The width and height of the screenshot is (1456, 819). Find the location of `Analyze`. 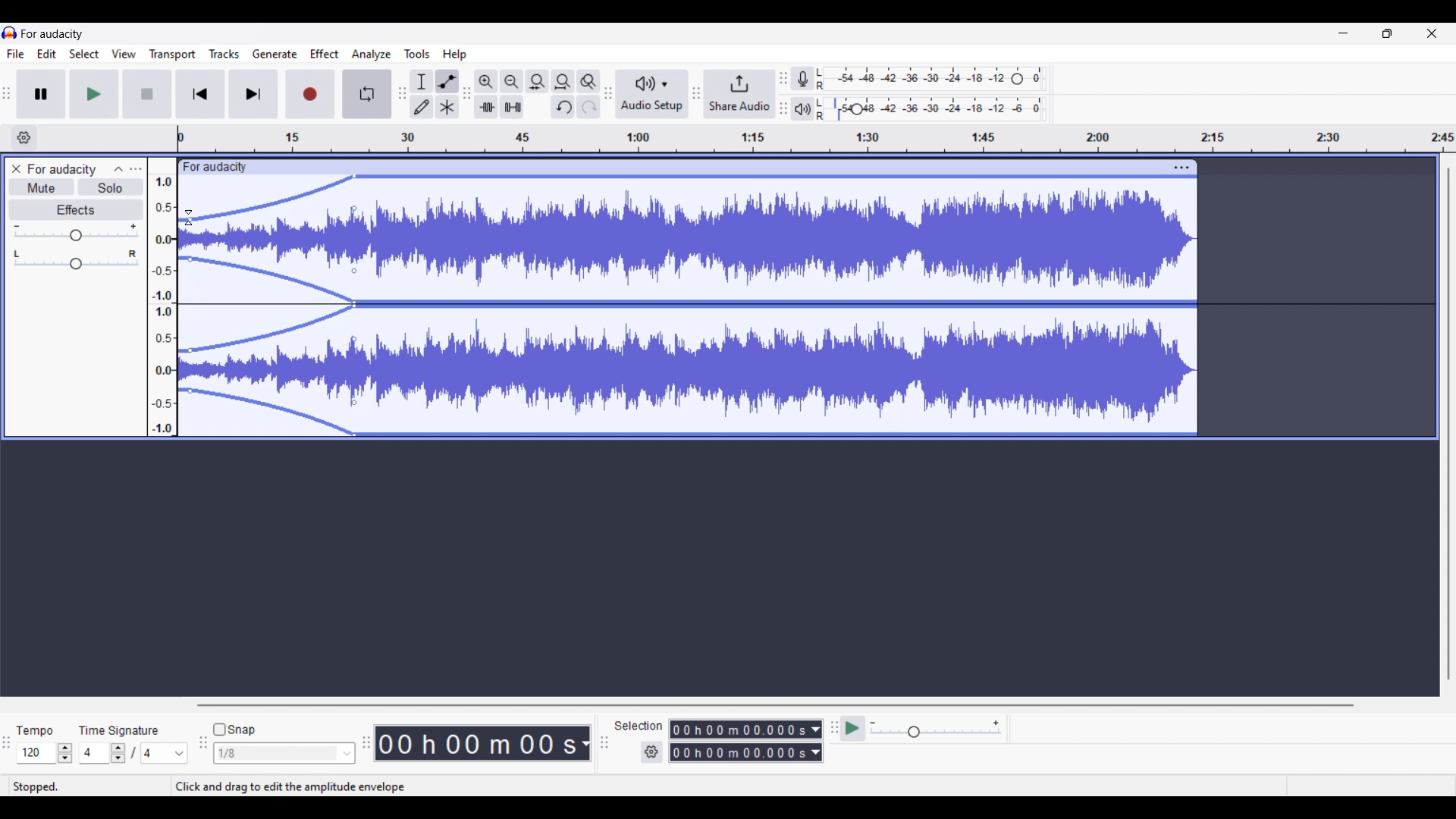

Analyze is located at coordinates (372, 55).